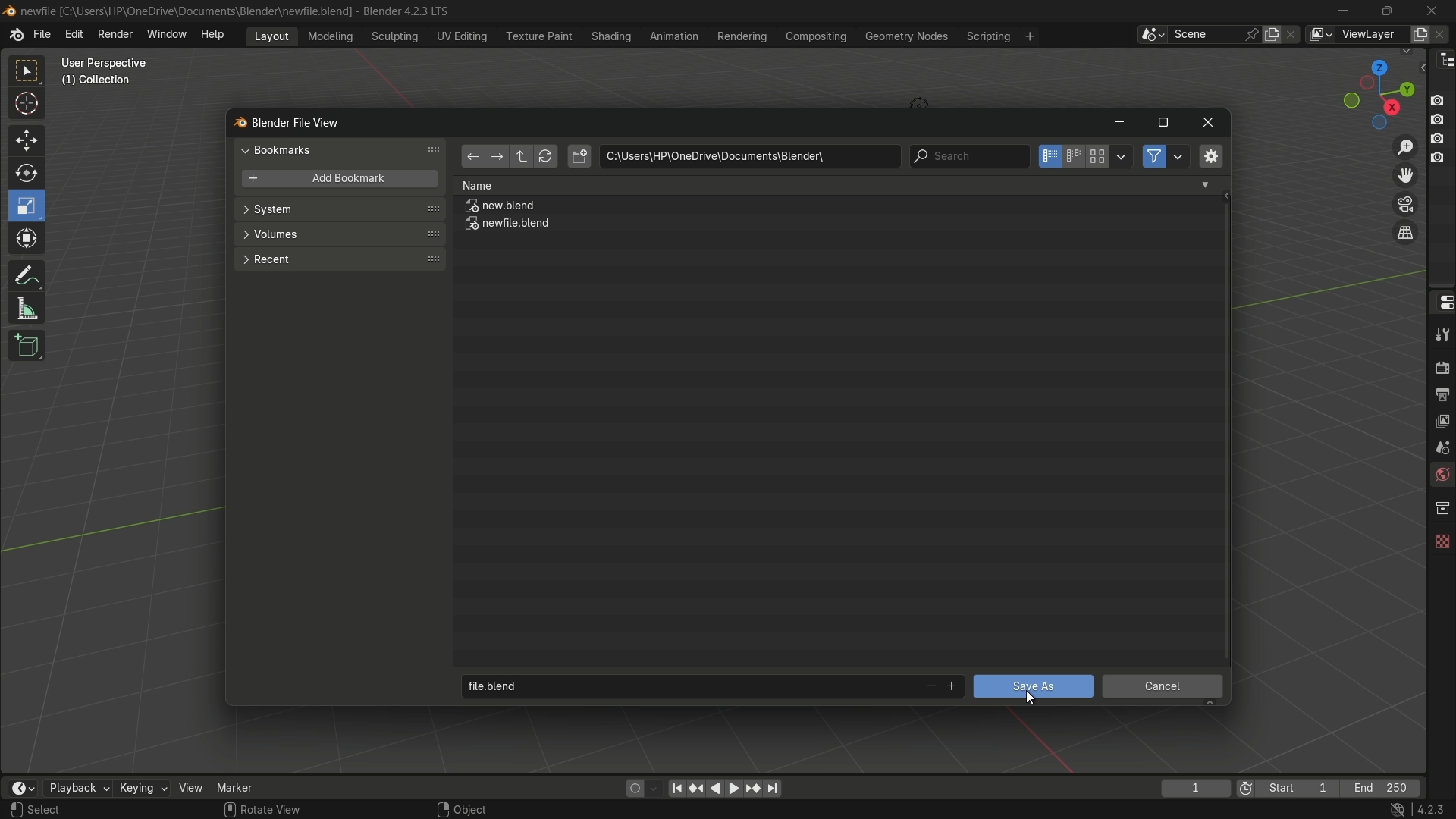  Describe the element at coordinates (1254, 34) in the screenshot. I see `pin scene to workplace` at that location.